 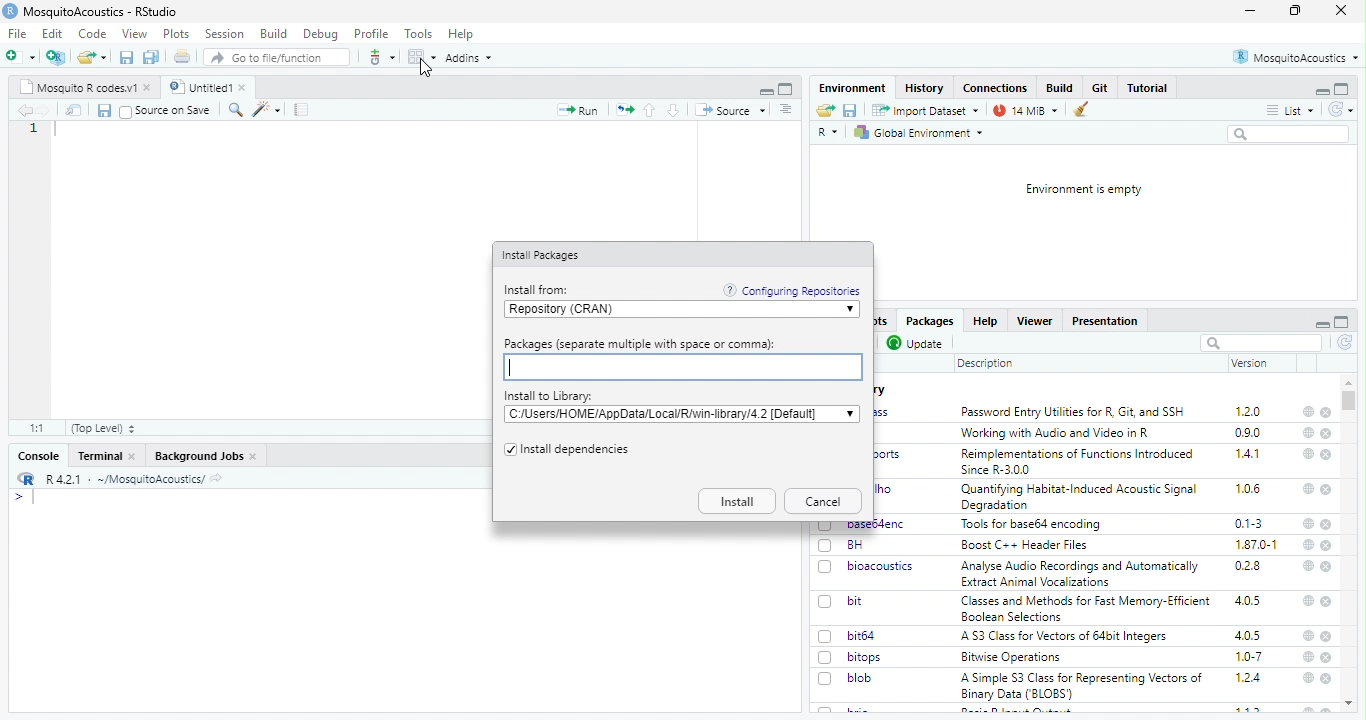 I want to click on 01-3, so click(x=1249, y=523).